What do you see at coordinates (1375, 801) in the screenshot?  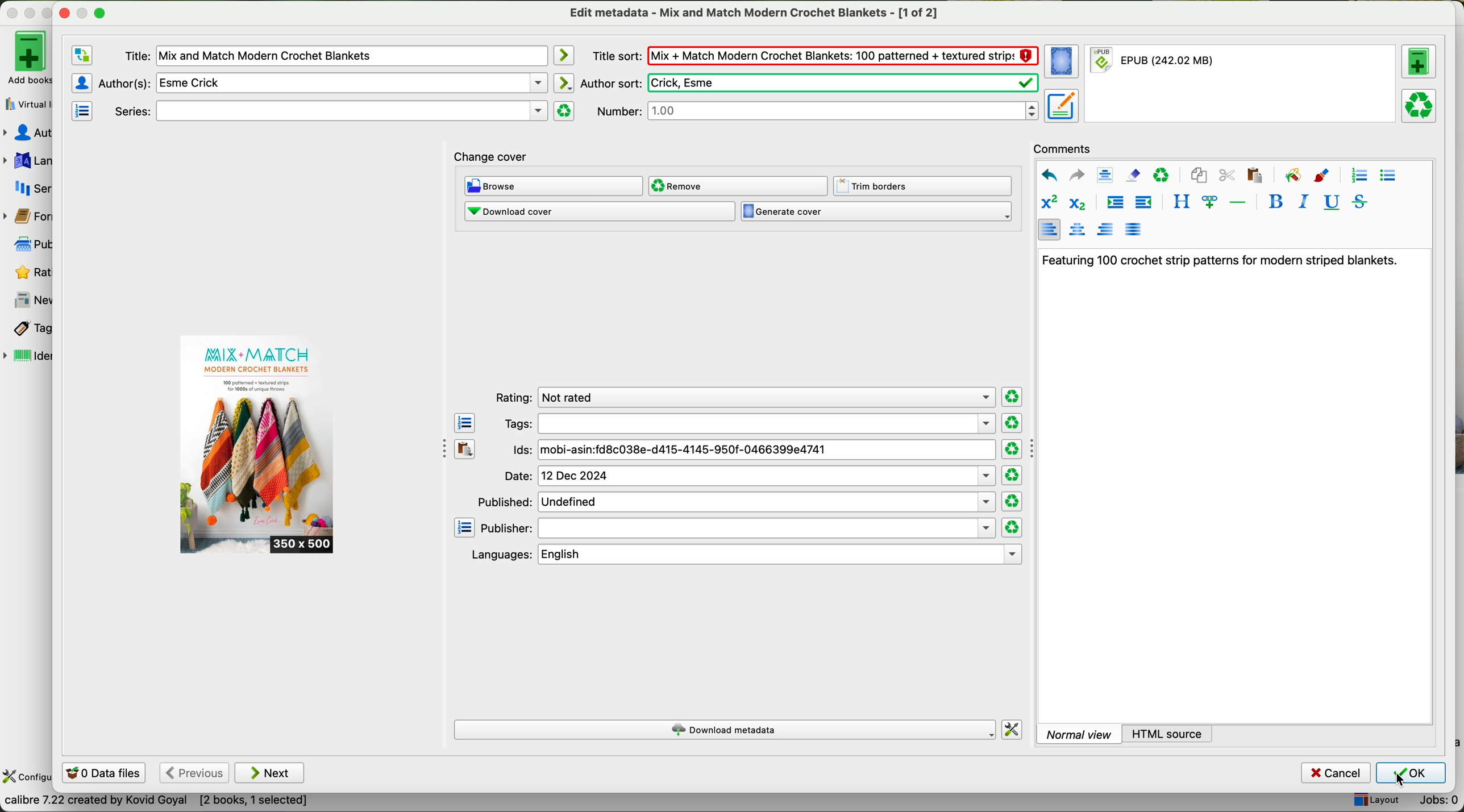 I see `layout` at bounding box center [1375, 801].